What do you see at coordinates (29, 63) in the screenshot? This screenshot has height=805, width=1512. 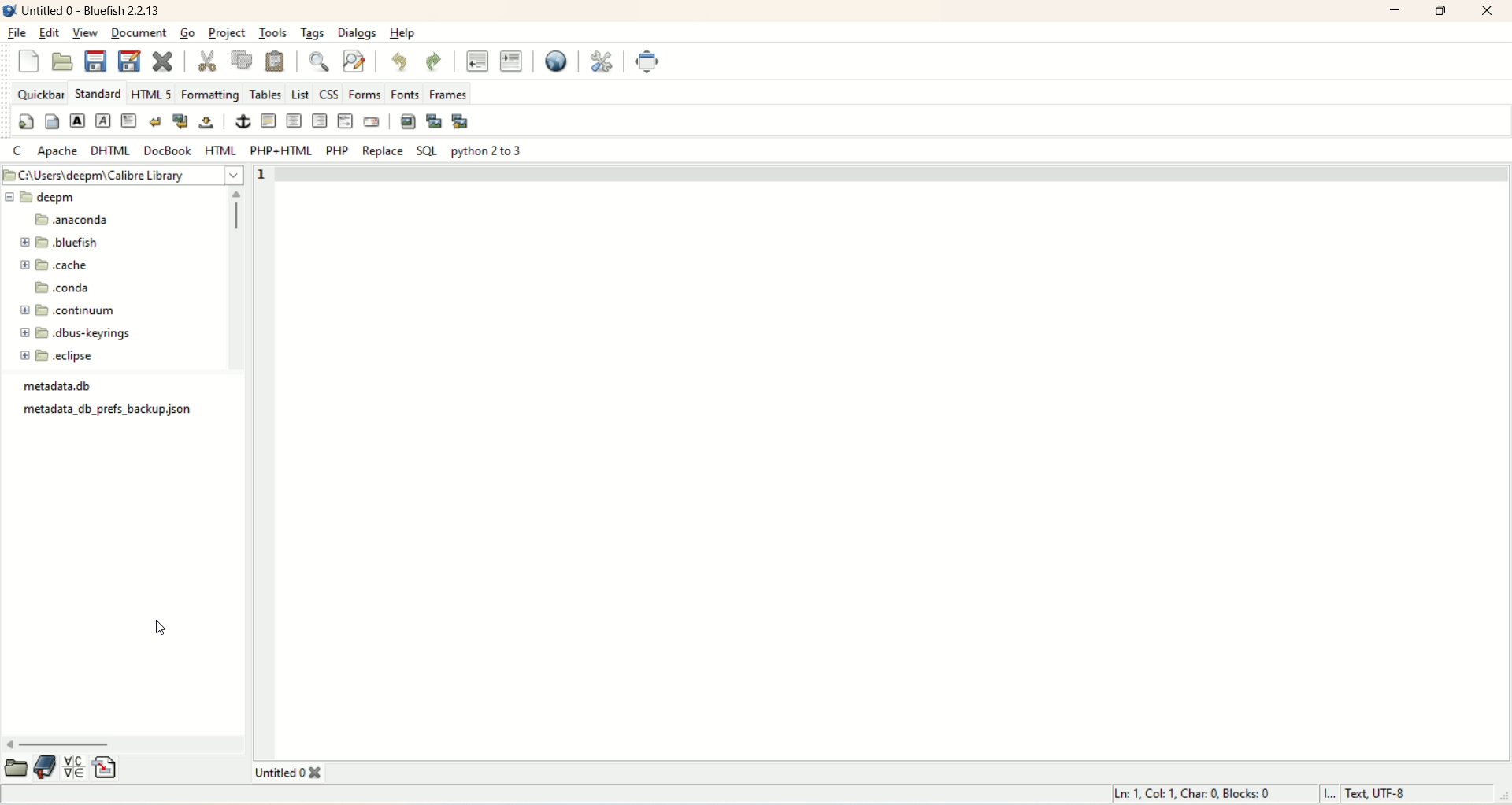 I see `new` at bounding box center [29, 63].